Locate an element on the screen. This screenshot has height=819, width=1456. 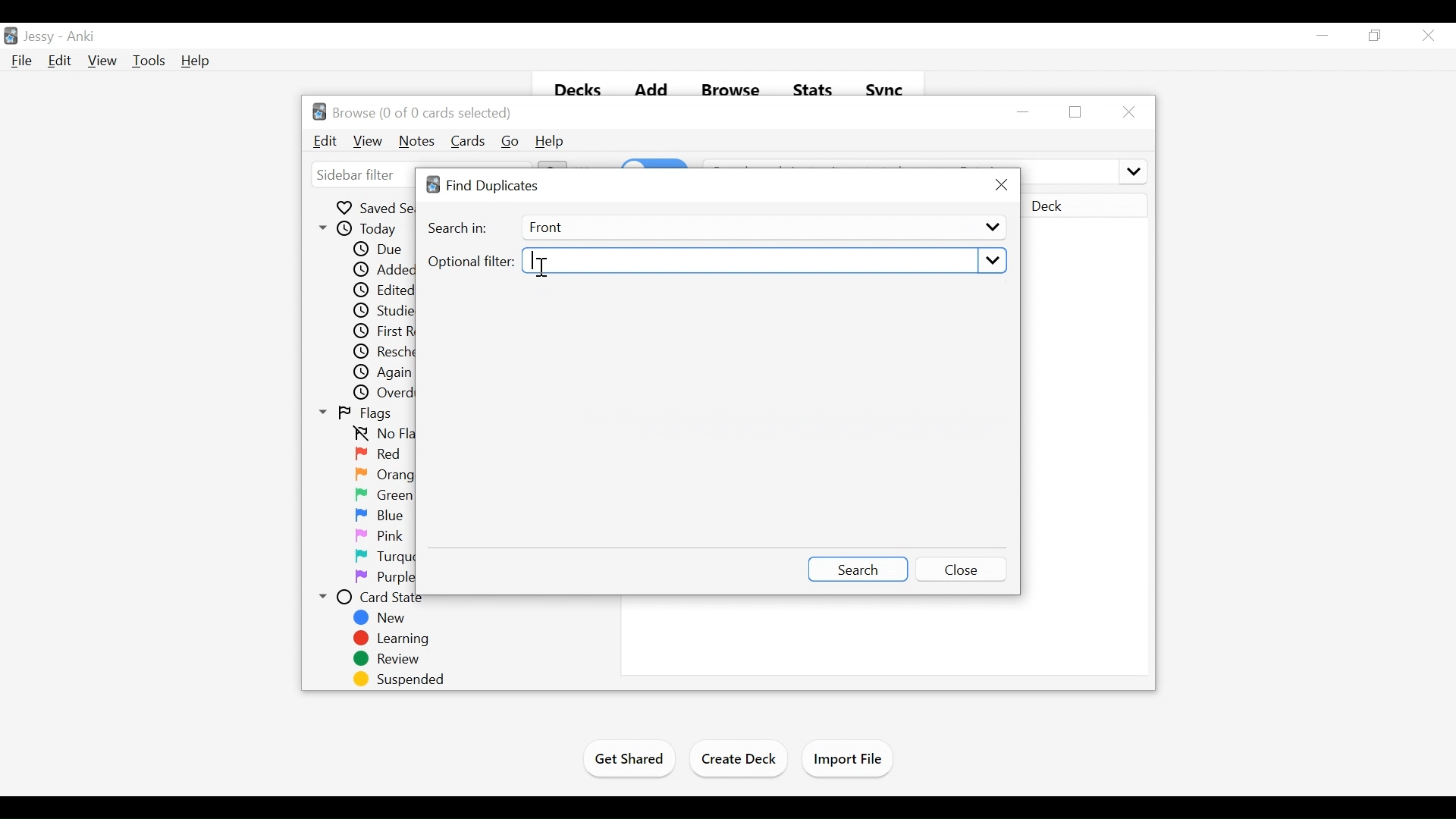
Create Deck is located at coordinates (739, 761).